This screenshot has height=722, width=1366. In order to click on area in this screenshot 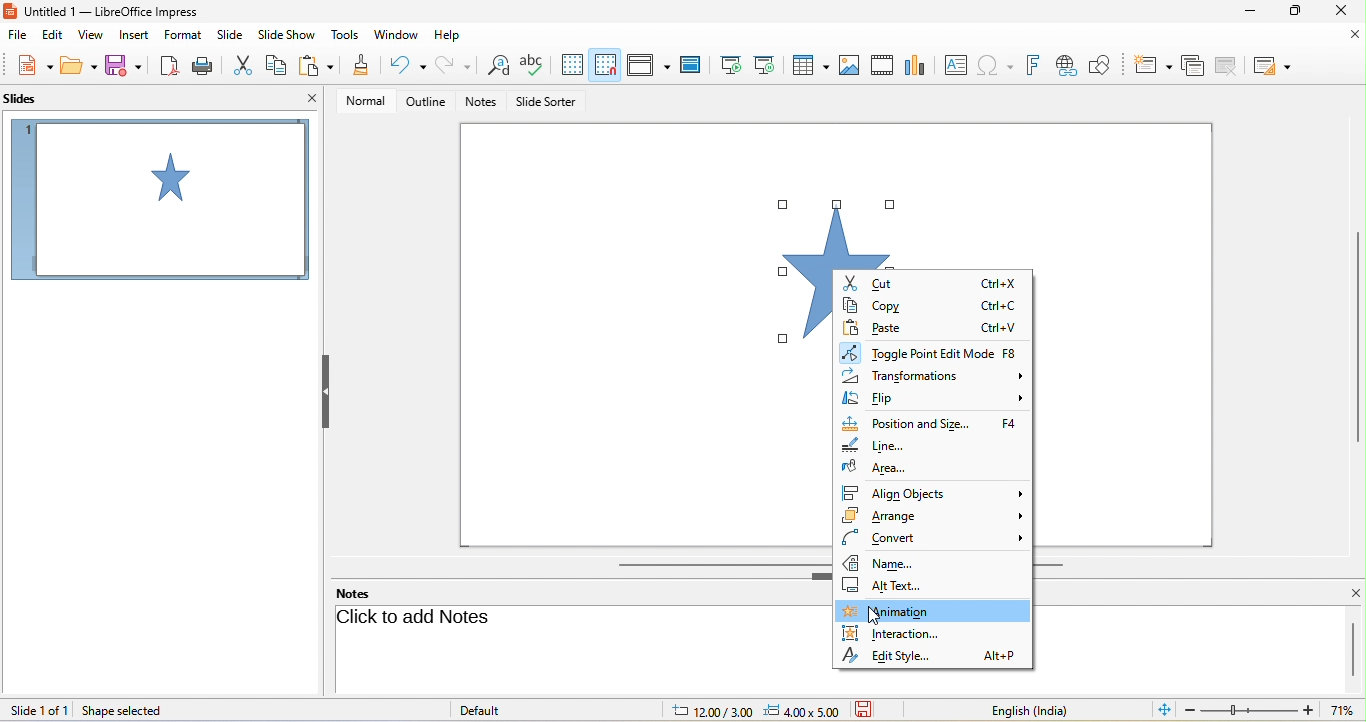, I will do `click(876, 467)`.